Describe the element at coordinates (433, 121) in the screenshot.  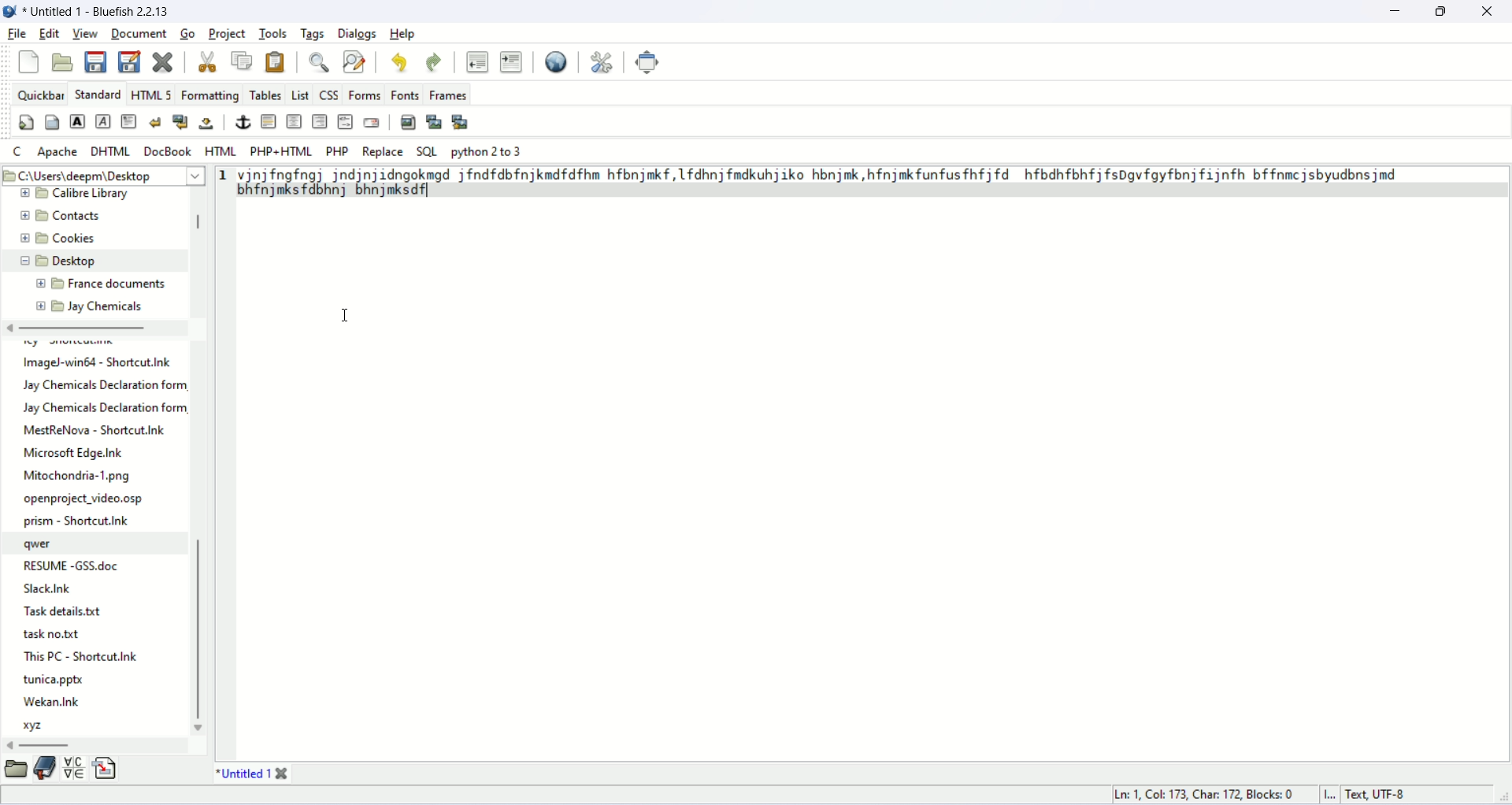
I see `insert thumbnail` at that location.